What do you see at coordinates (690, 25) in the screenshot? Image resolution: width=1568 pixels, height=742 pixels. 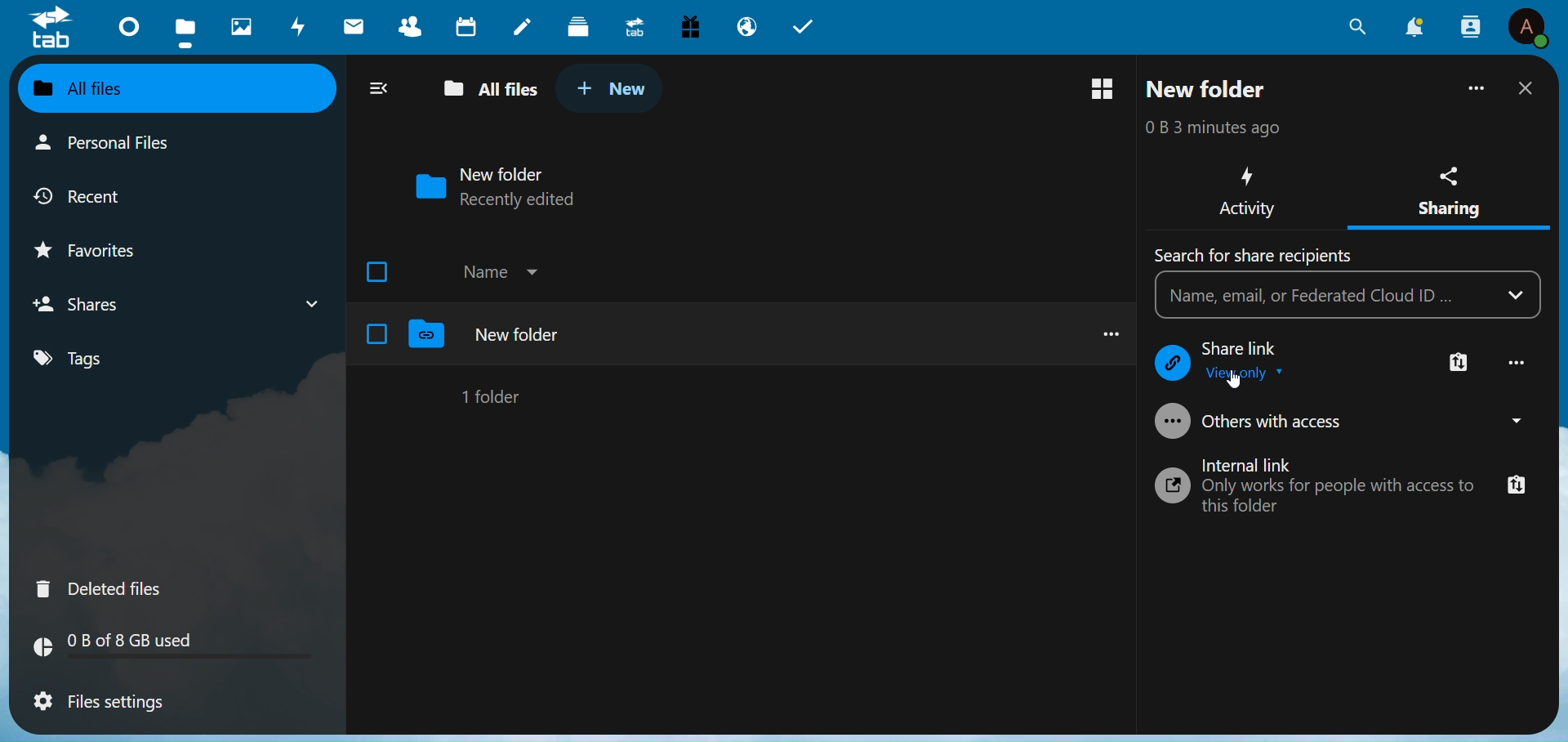 I see `Free Trial` at bounding box center [690, 25].